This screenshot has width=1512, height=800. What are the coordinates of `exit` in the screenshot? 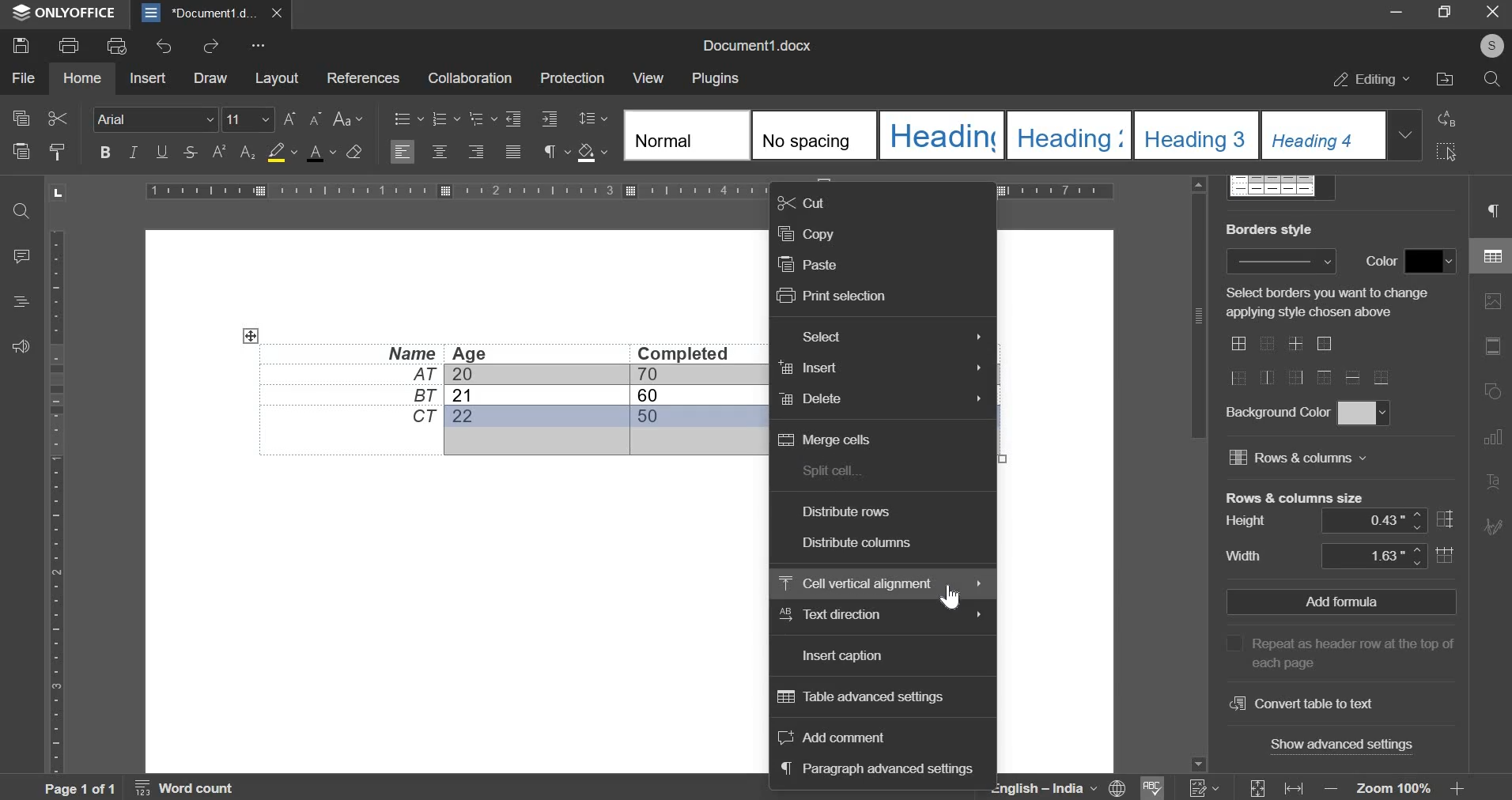 It's located at (1494, 11).